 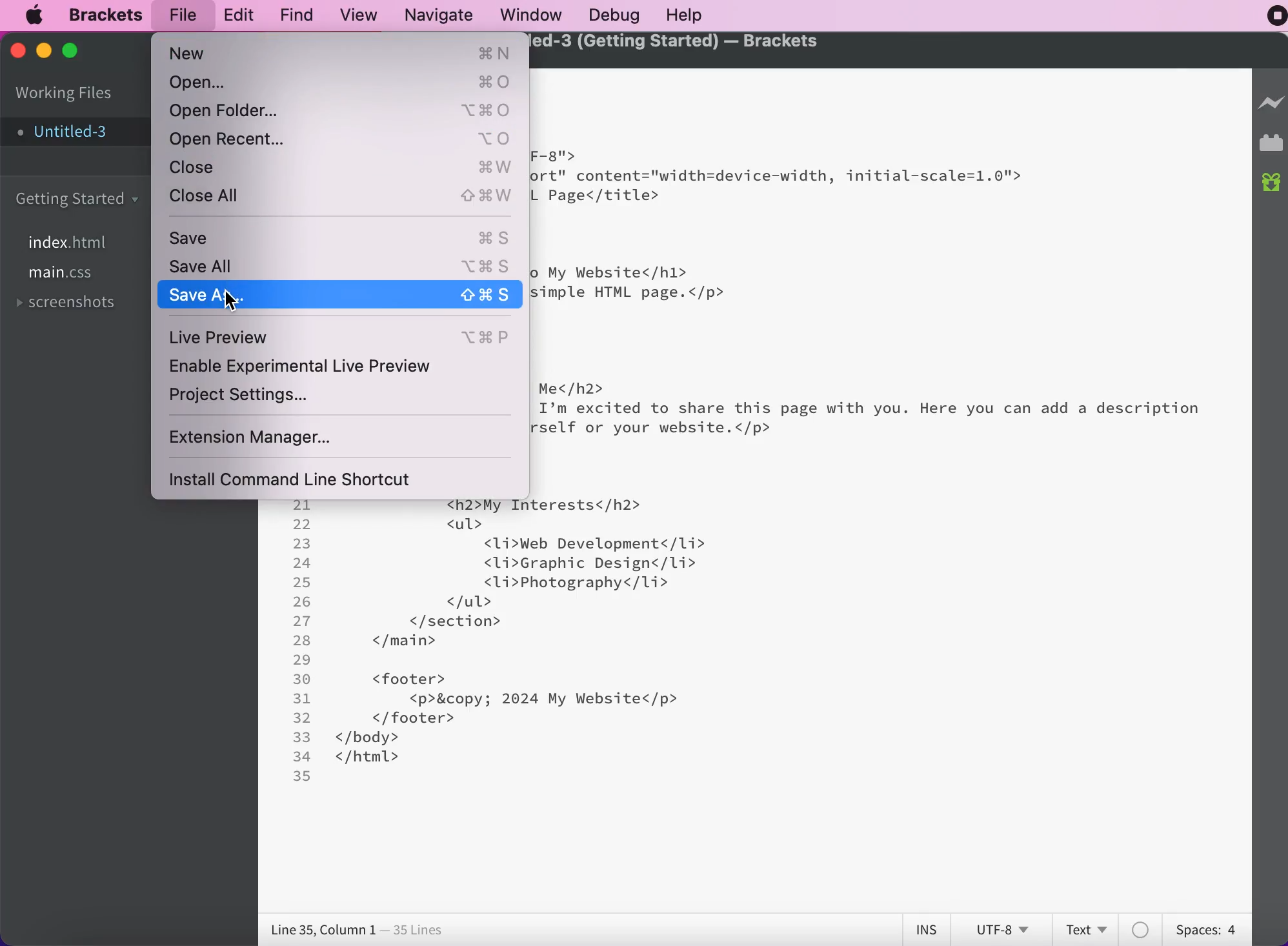 What do you see at coordinates (621, 15) in the screenshot?
I see `debug` at bounding box center [621, 15].